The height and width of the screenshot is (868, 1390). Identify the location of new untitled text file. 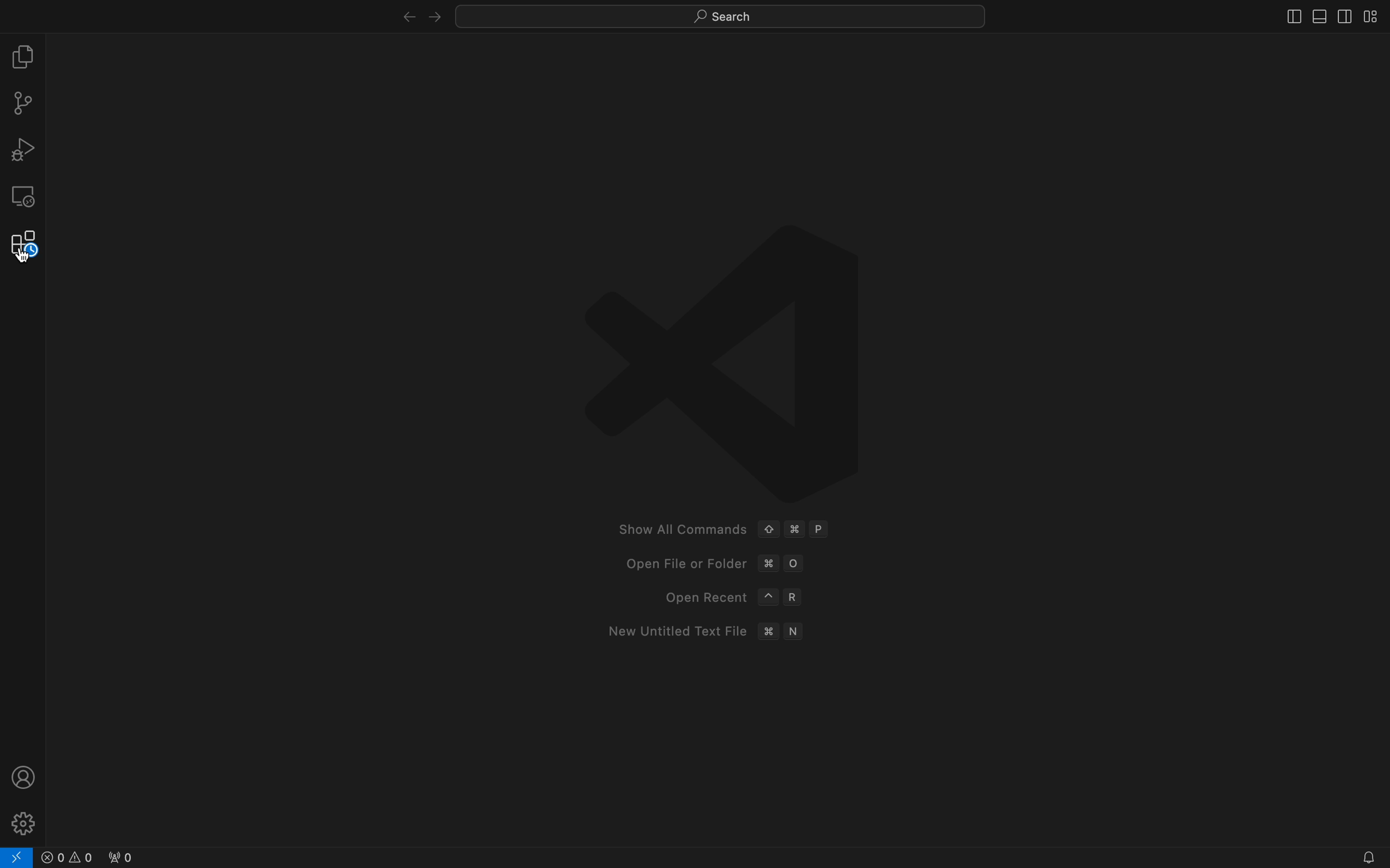
(704, 633).